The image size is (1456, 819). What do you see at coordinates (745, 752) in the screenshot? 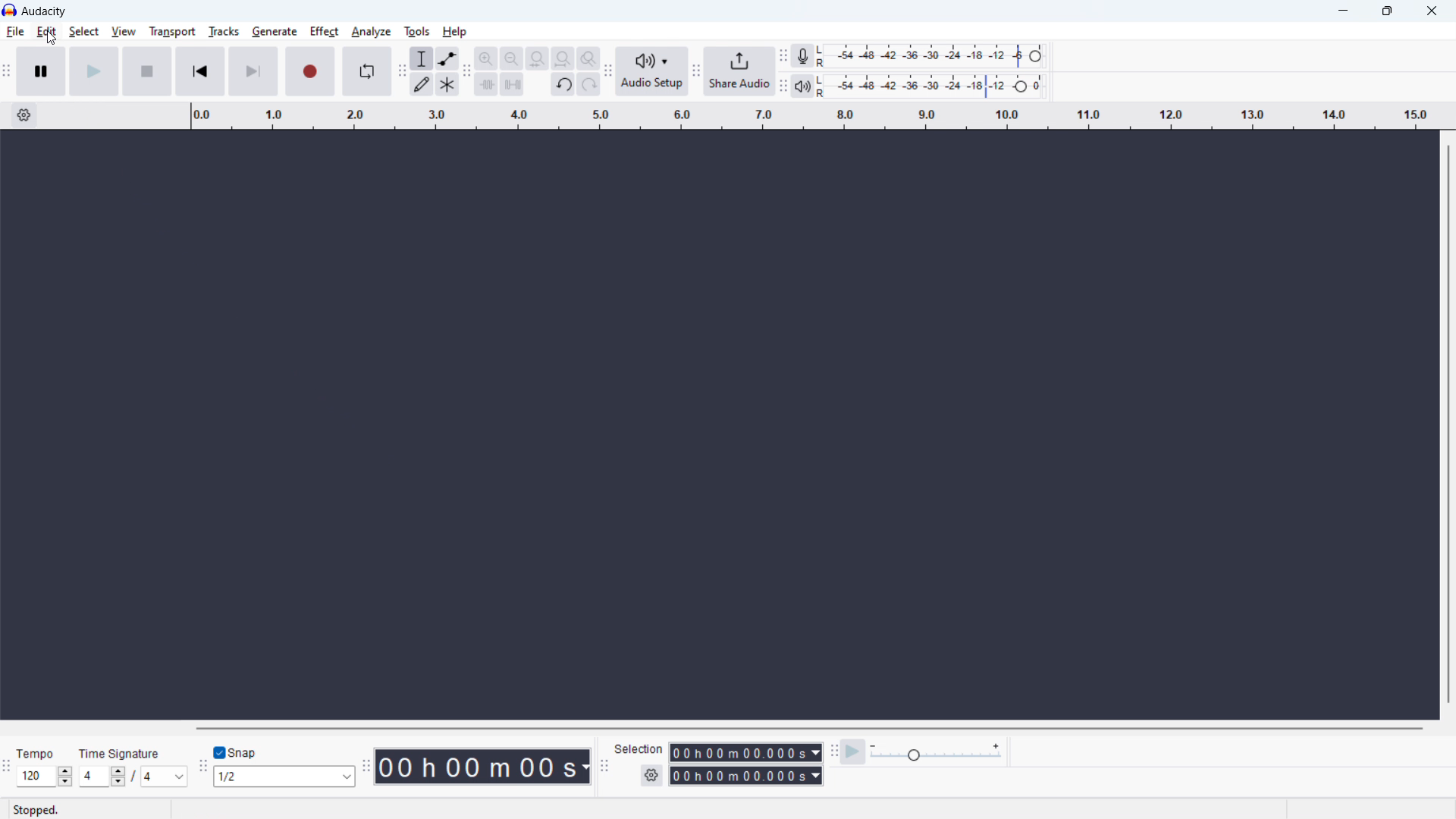
I see `start time` at bounding box center [745, 752].